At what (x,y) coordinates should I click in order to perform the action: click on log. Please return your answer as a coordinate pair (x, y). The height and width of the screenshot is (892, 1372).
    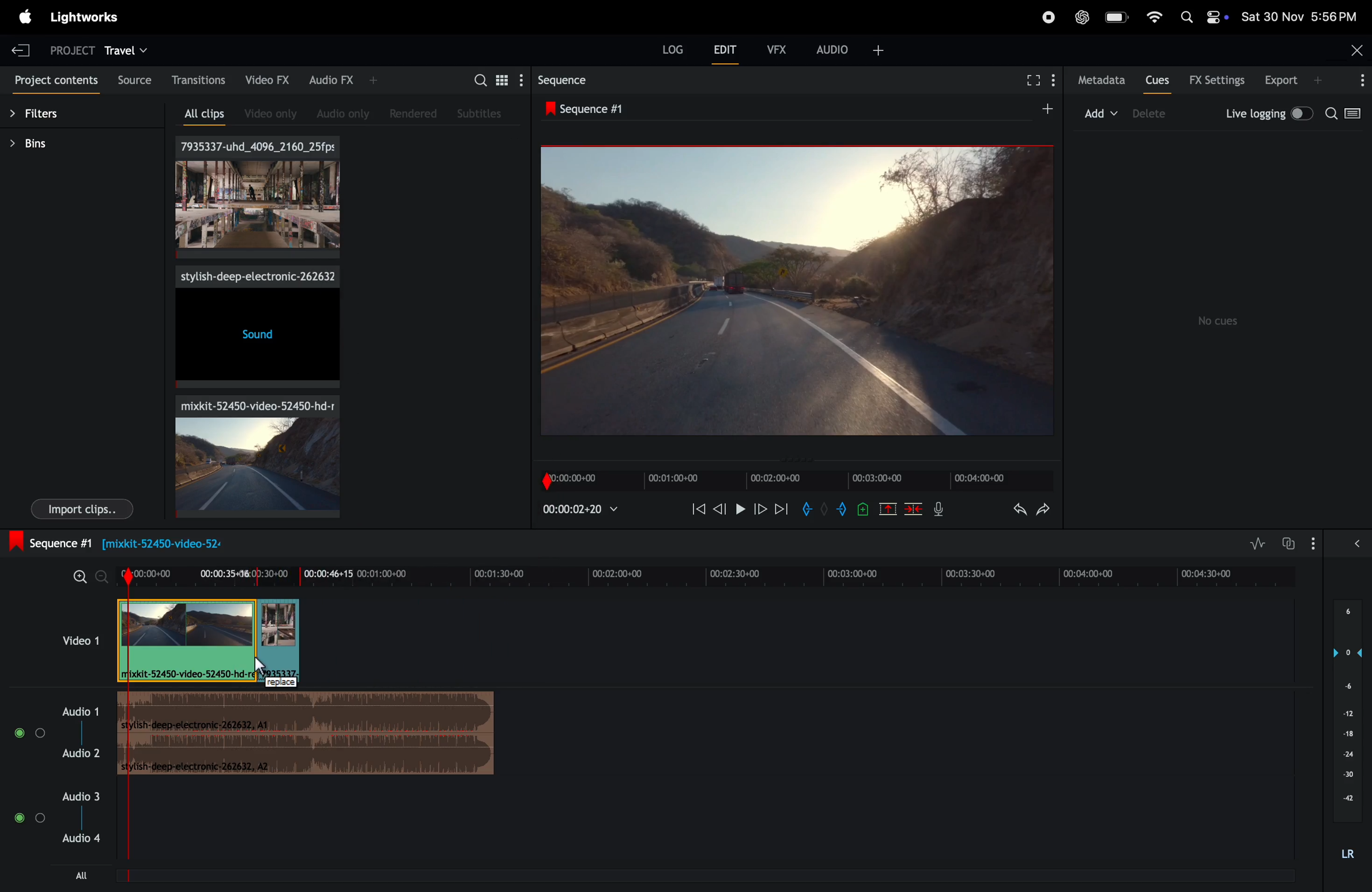
    Looking at the image, I should click on (665, 50).